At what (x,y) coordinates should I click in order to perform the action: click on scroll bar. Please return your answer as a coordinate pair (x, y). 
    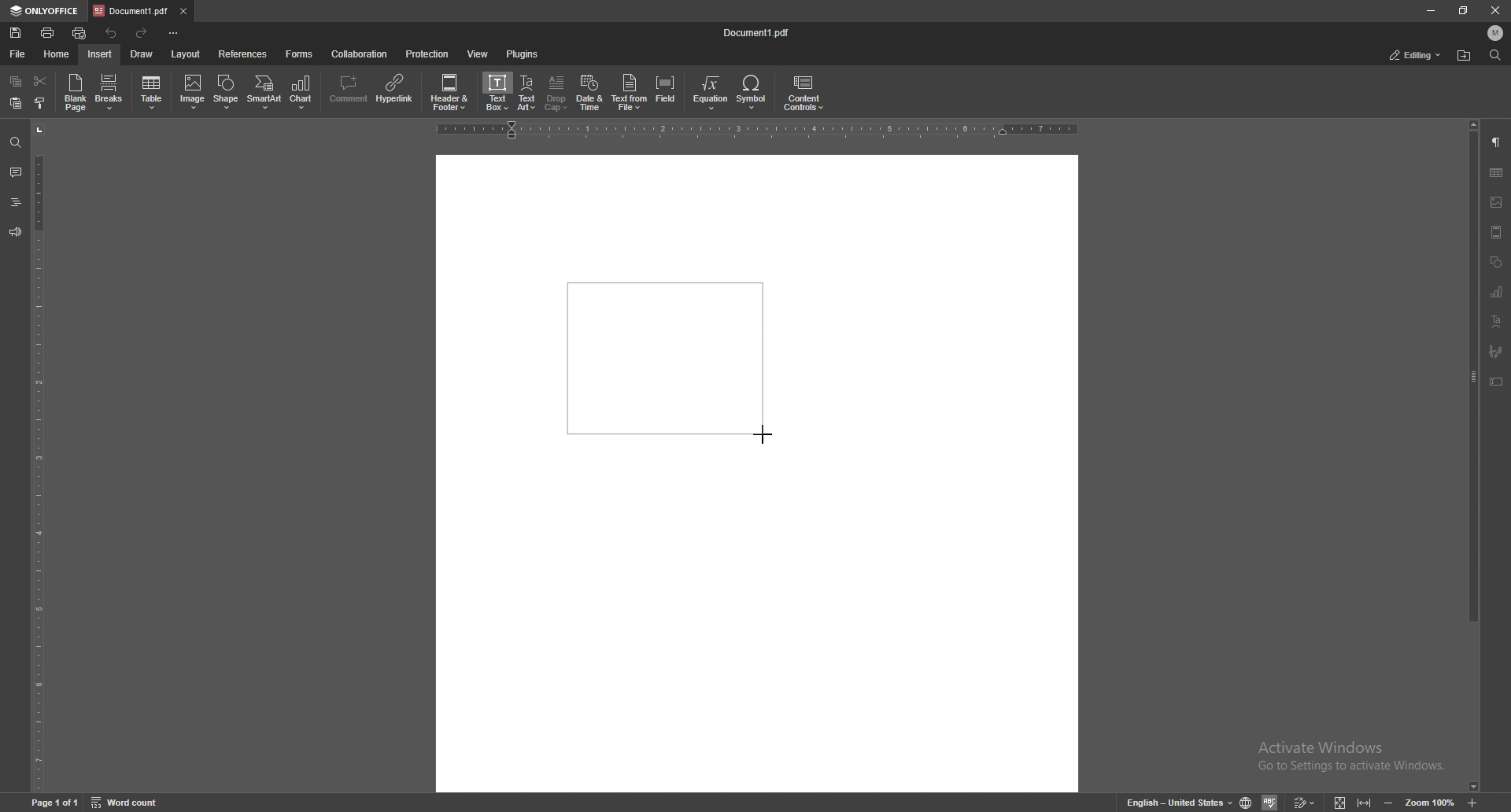
    Looking at the image, I should click on (1472, 456).